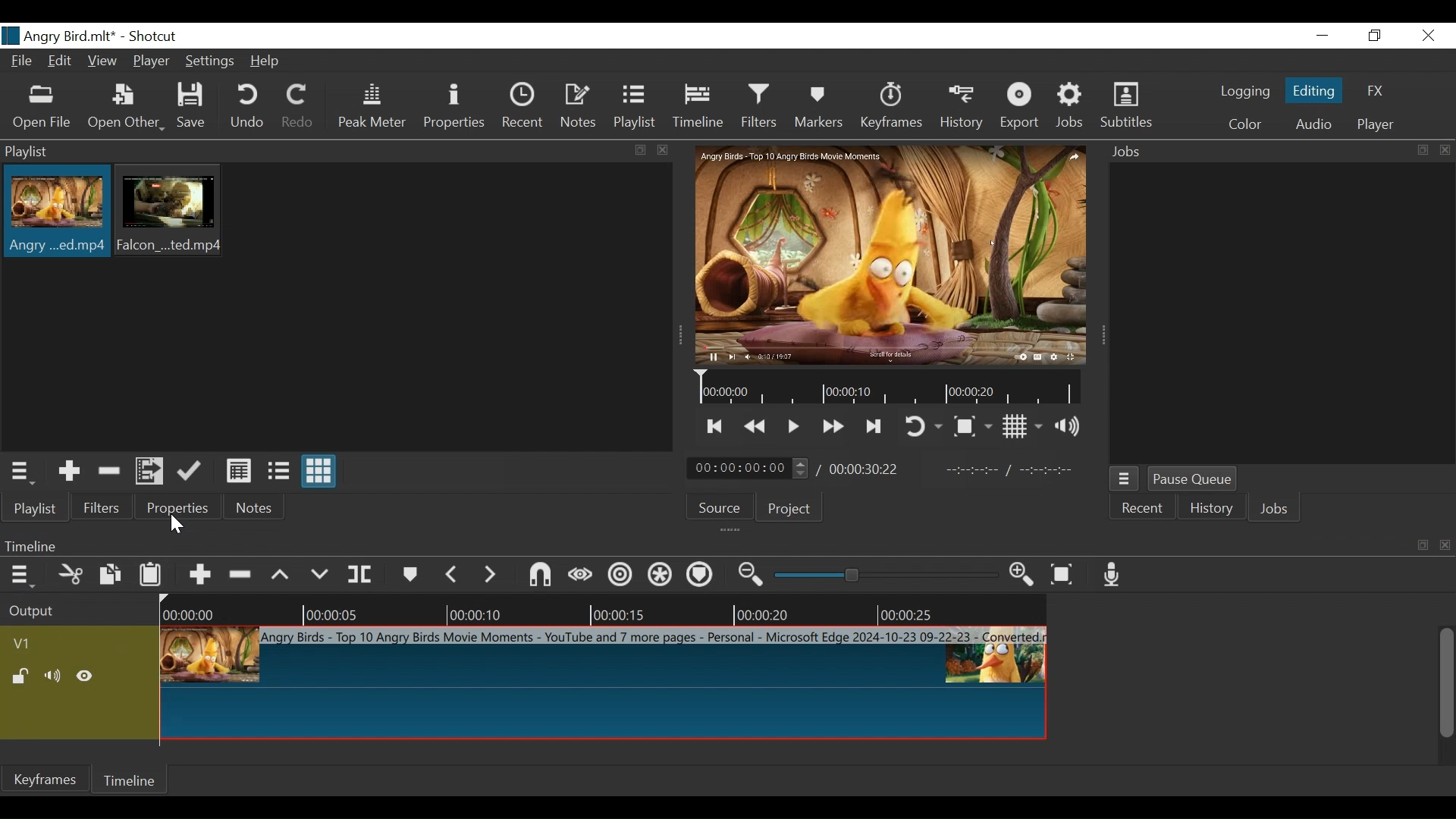 The image size is (1456, 819). What do you see at coordinates (1114, 576) in the screenshot?
I see `Record audio track` at bounding box center [1114, 576].